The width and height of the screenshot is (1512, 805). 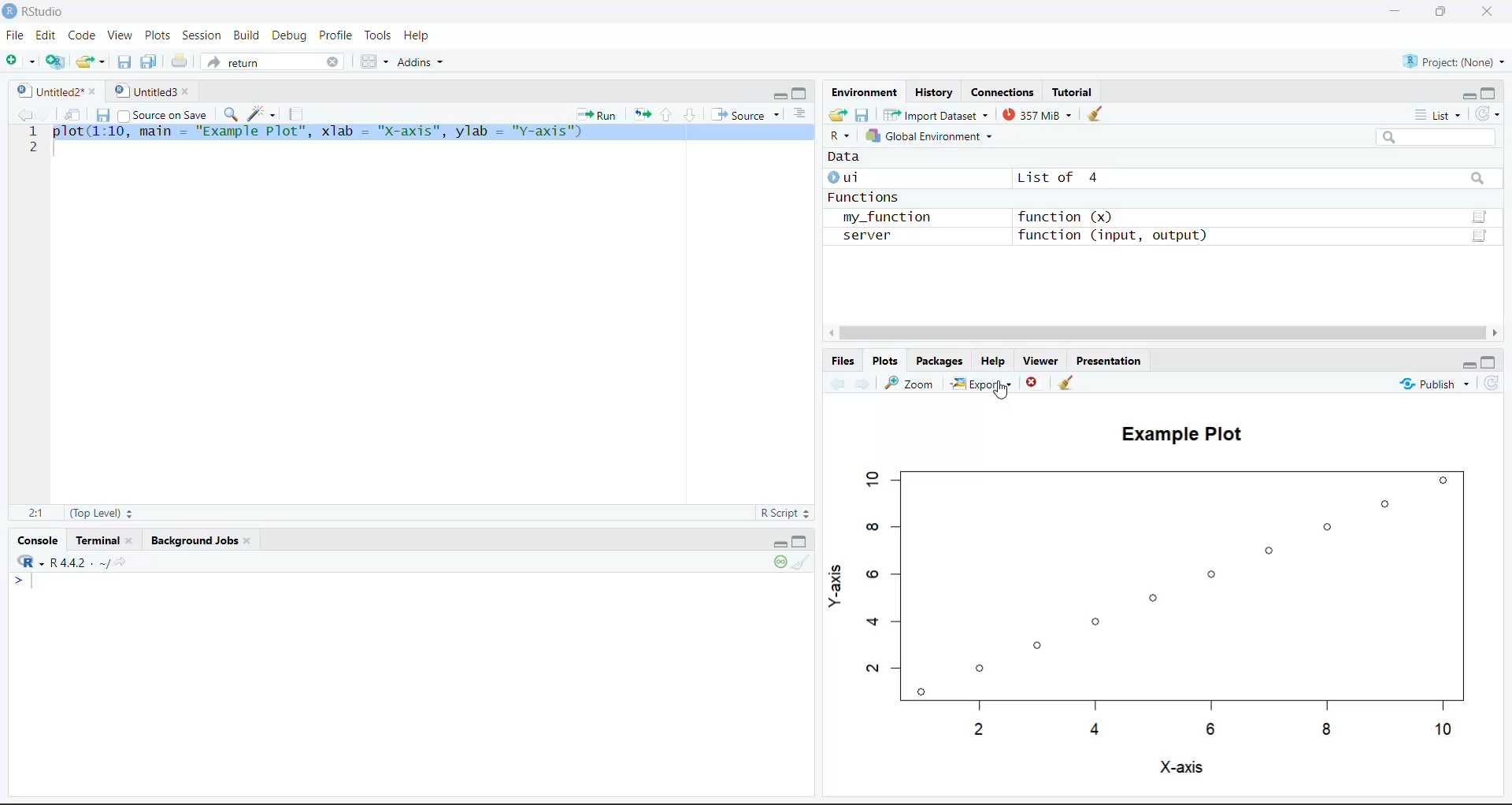 I want to click on Save current document (Ctrl + S), so click(x=124, y=63).